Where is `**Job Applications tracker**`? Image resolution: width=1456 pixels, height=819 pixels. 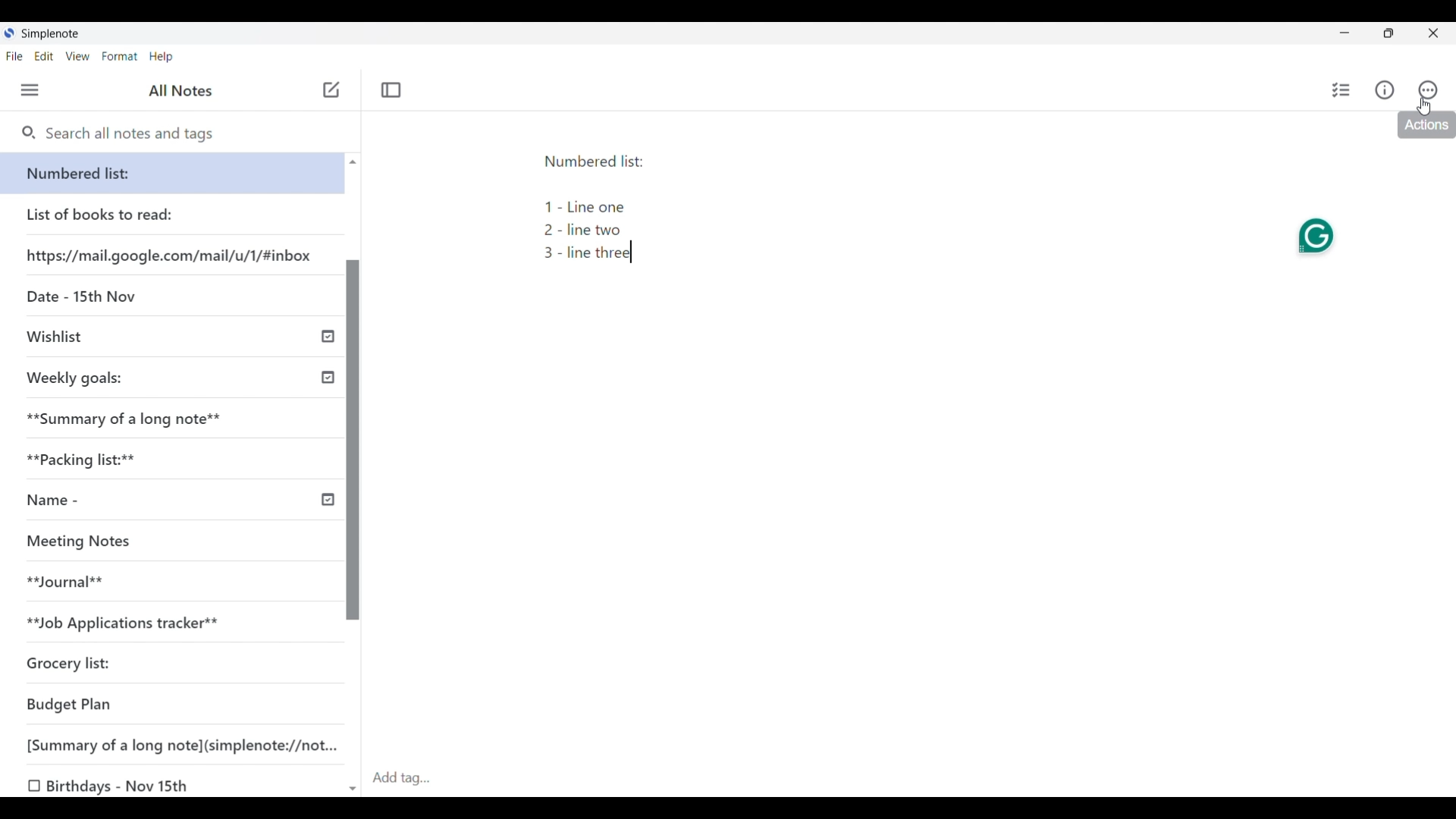 **Job Applications tracker** is located at coordinates (131, 626).